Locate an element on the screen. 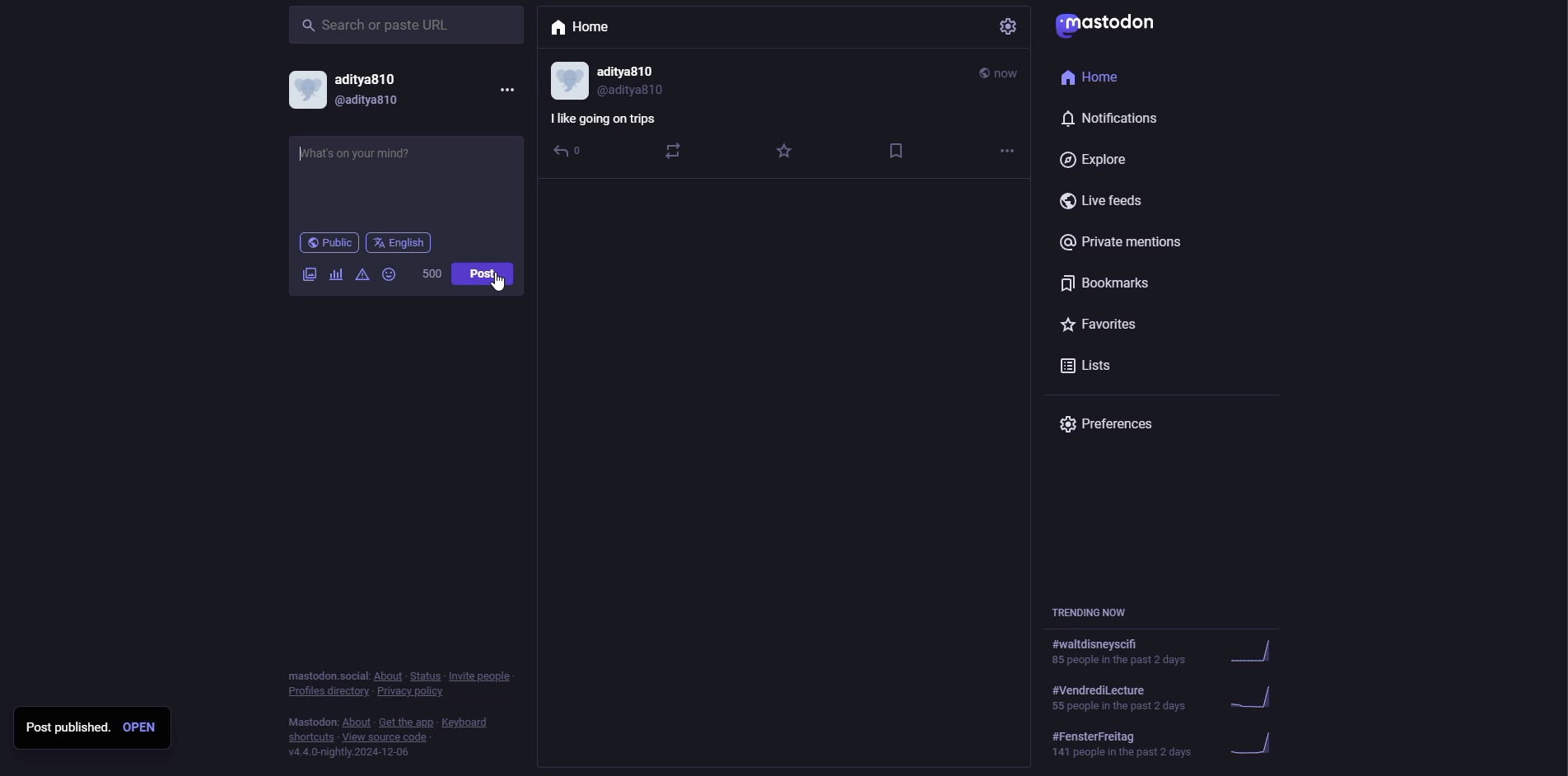 The height and width of the screenshot is (776, 1568). home is located at coordinates (1099, 78).